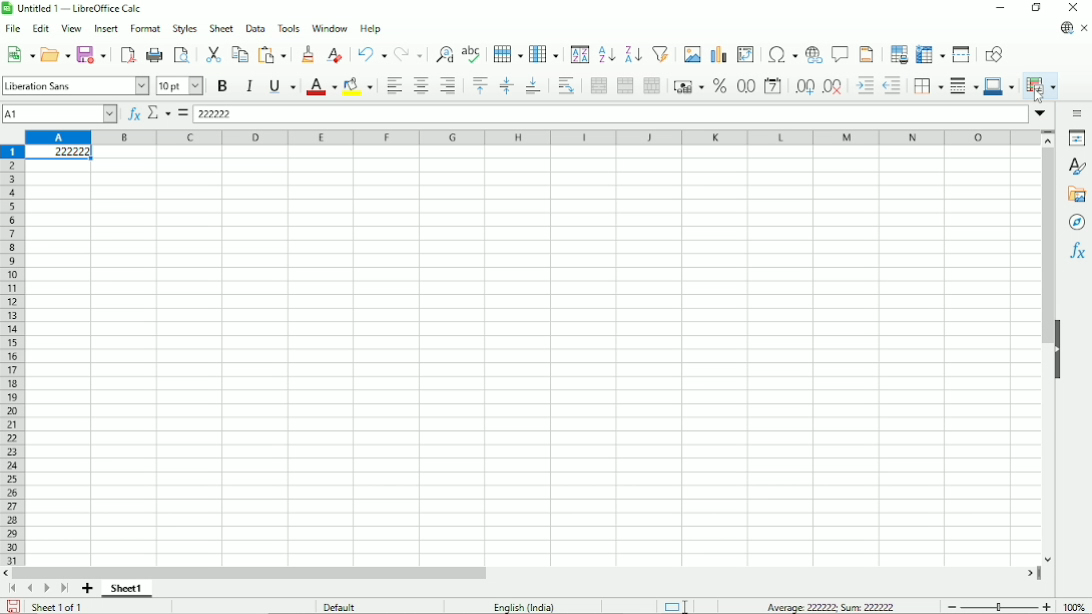  I want to click on Redo, so click(410, 53).